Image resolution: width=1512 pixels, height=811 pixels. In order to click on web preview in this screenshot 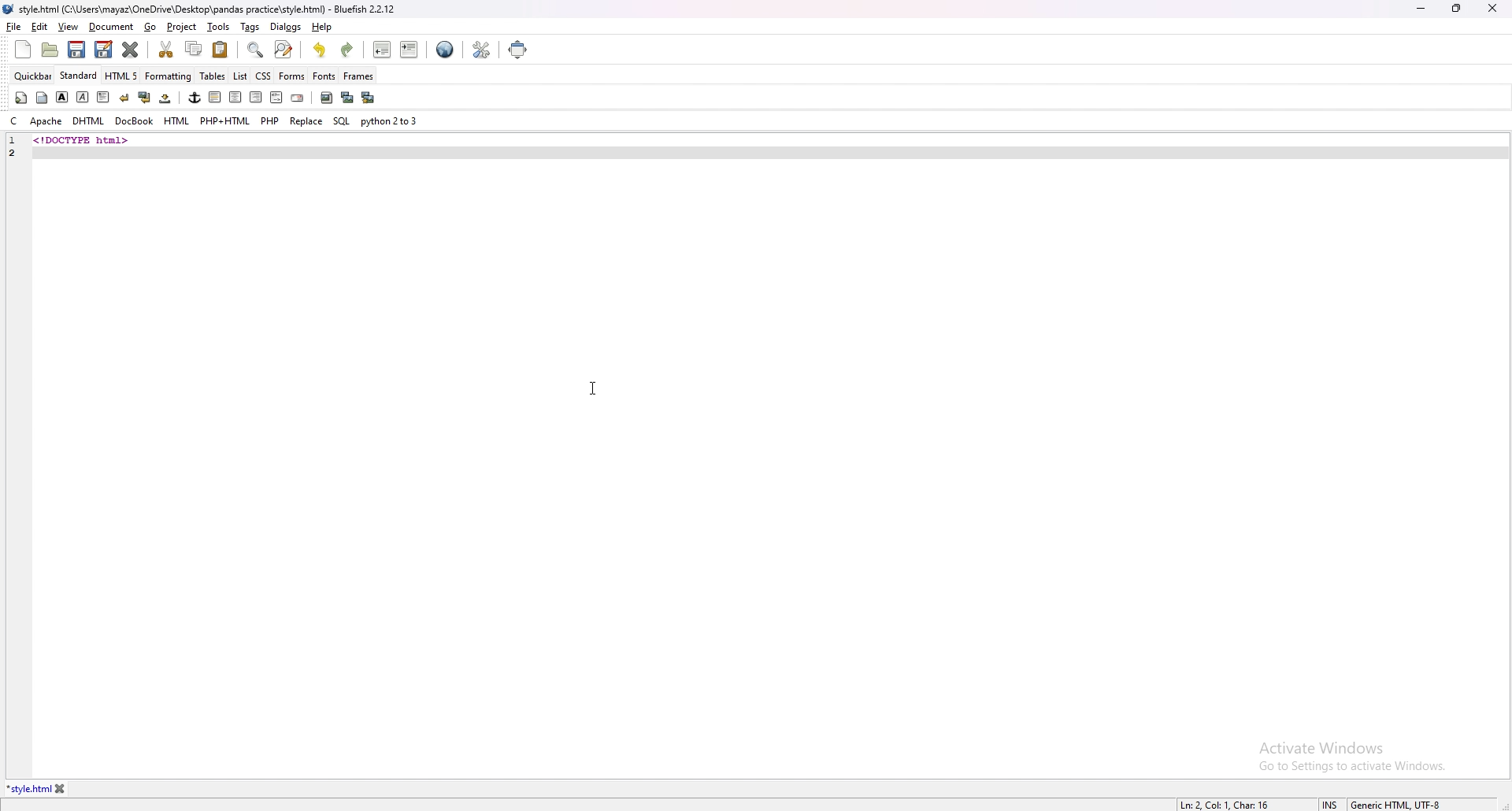, I will do `click(445, 50)`.